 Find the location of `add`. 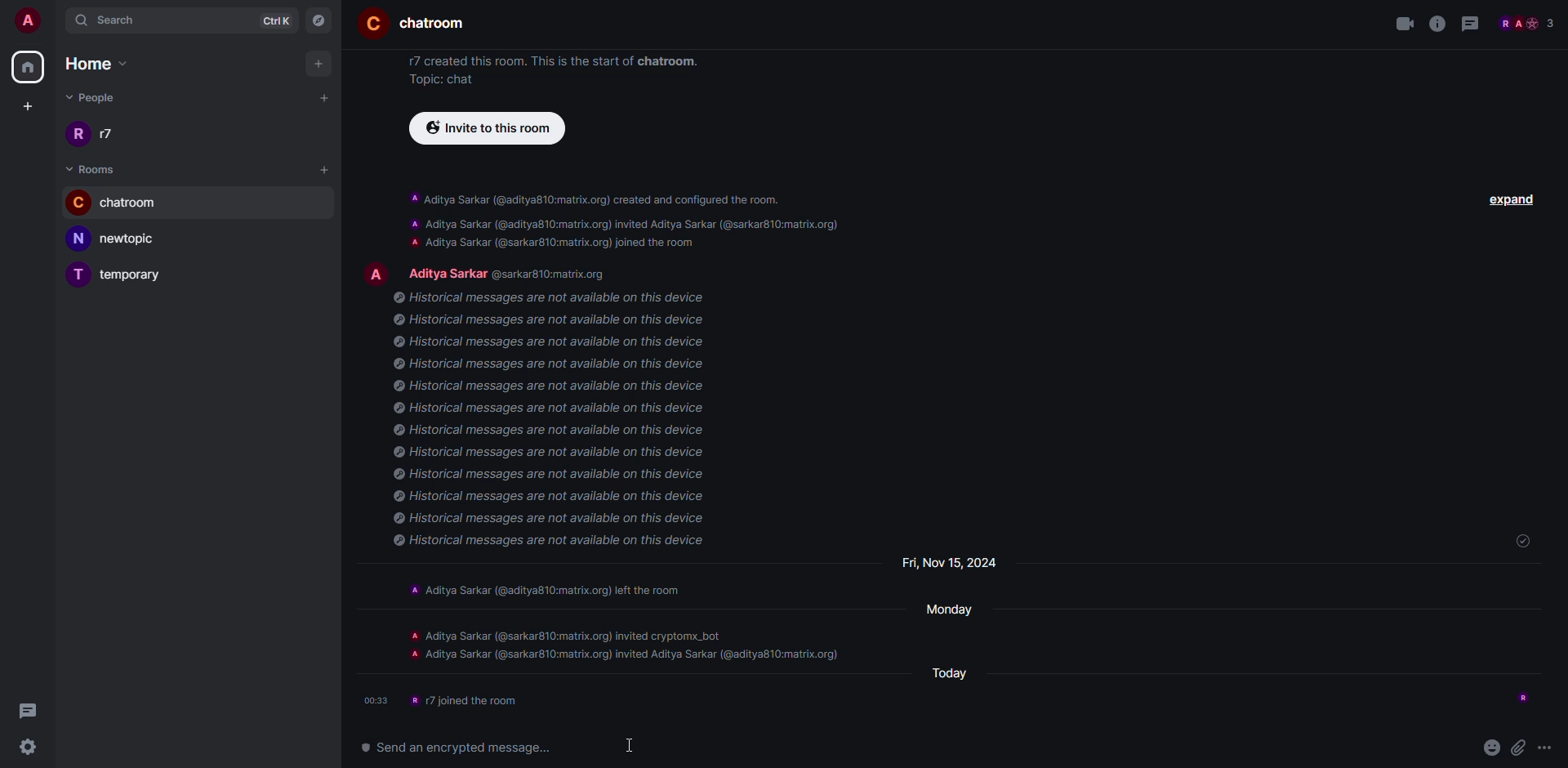

add is located at coordinates (327, 169).